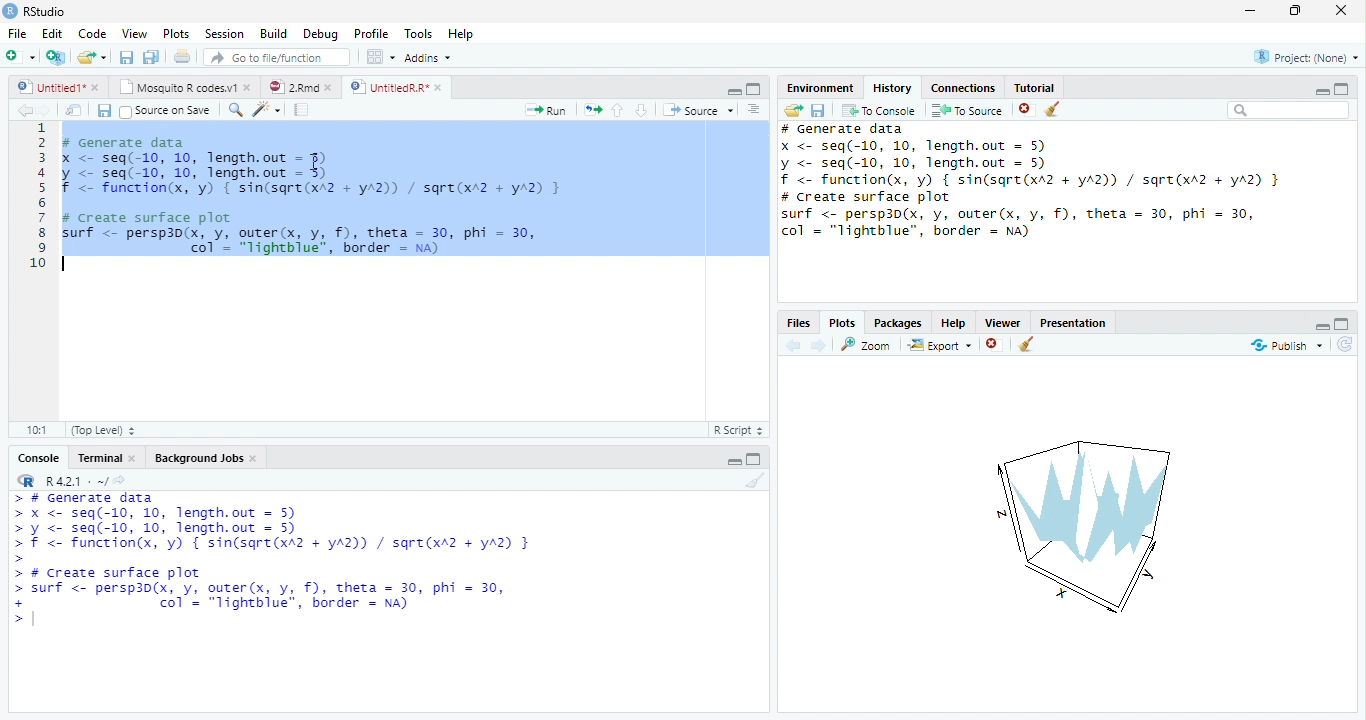 This screenshot has width=1366, height=720. Describe the element at coordinates (940, 345) in the screenshot. I see `Export` at that location.